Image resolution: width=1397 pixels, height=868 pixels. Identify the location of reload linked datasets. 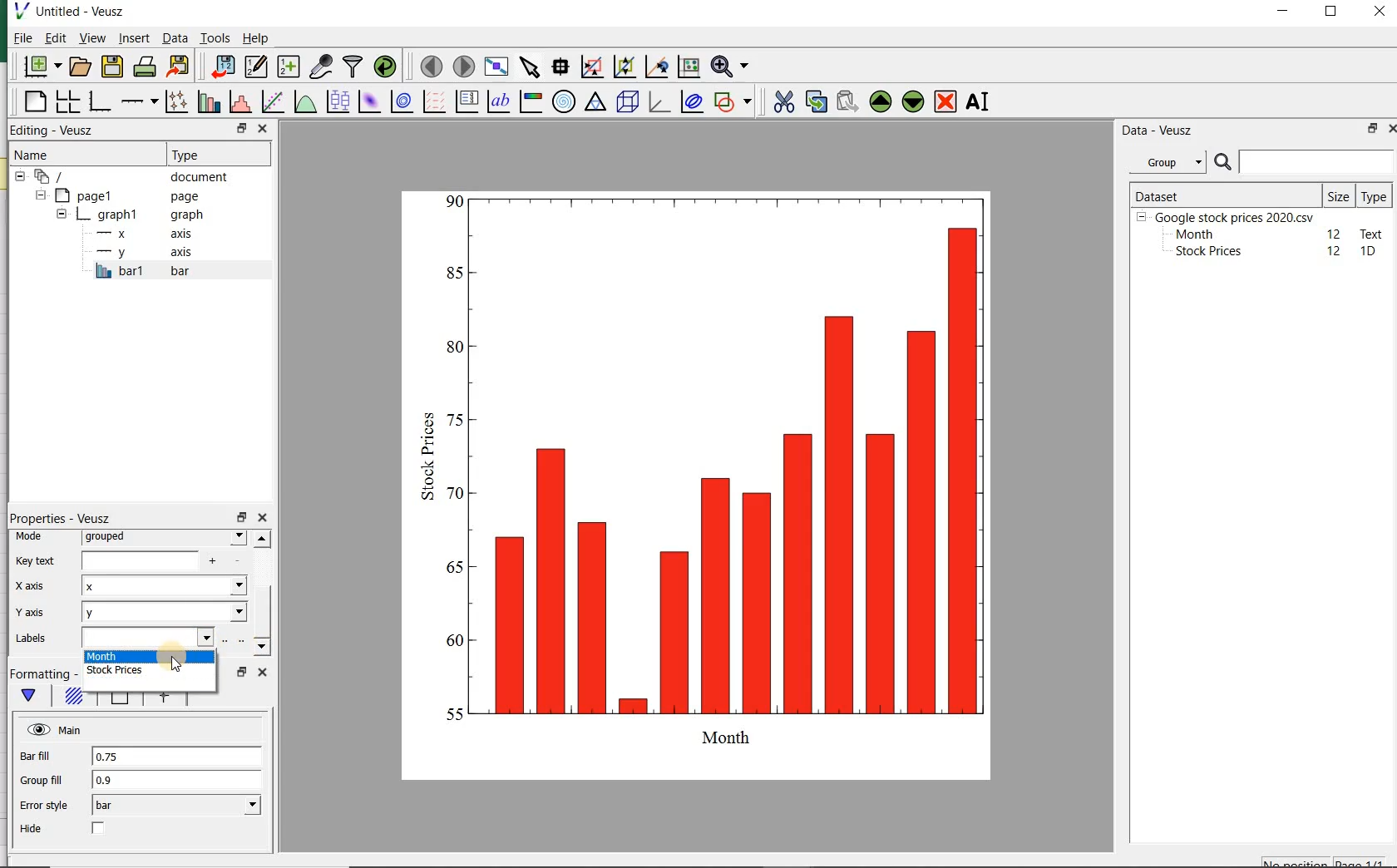
(388, 67).